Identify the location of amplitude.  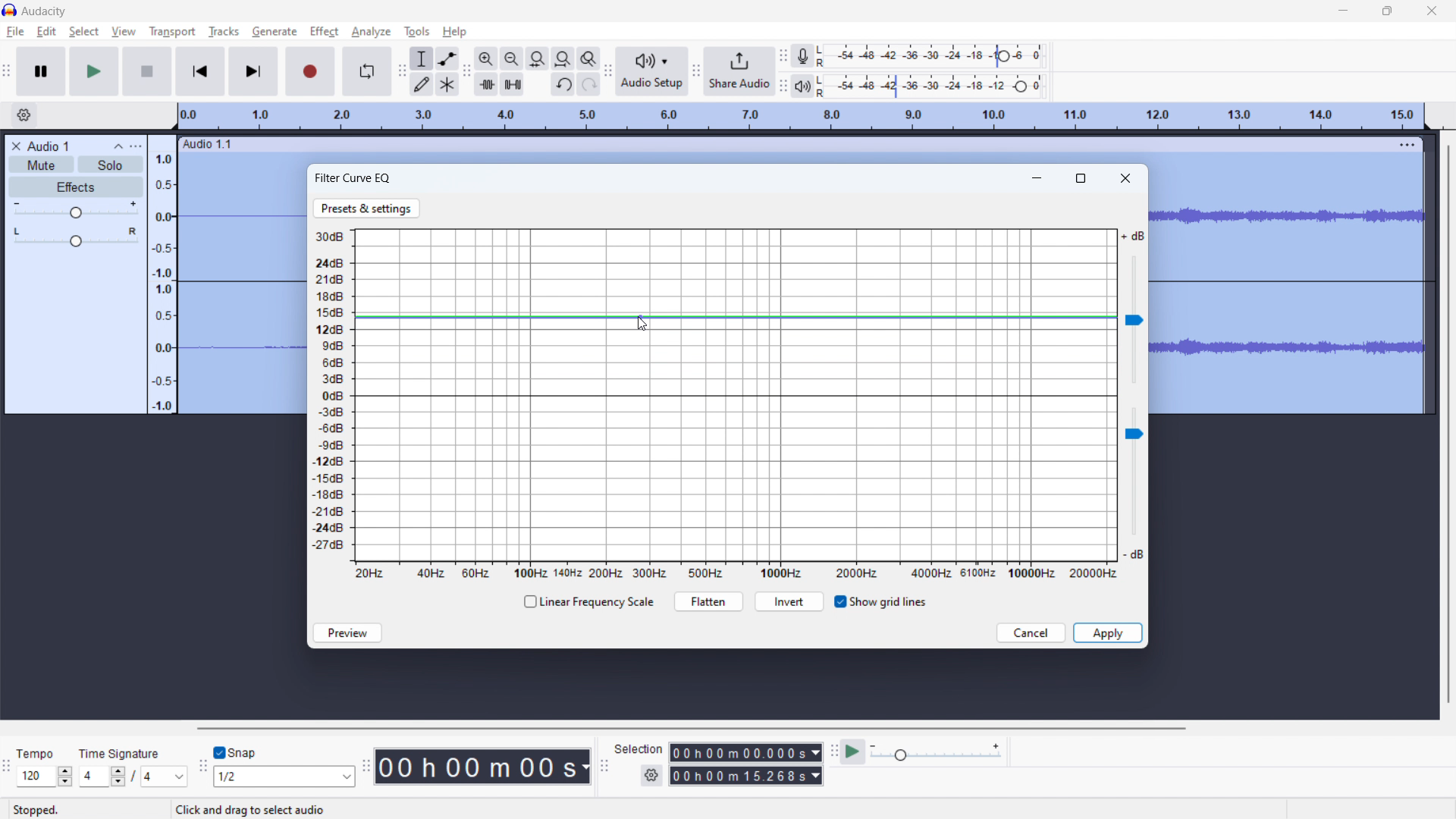
(163, 274).